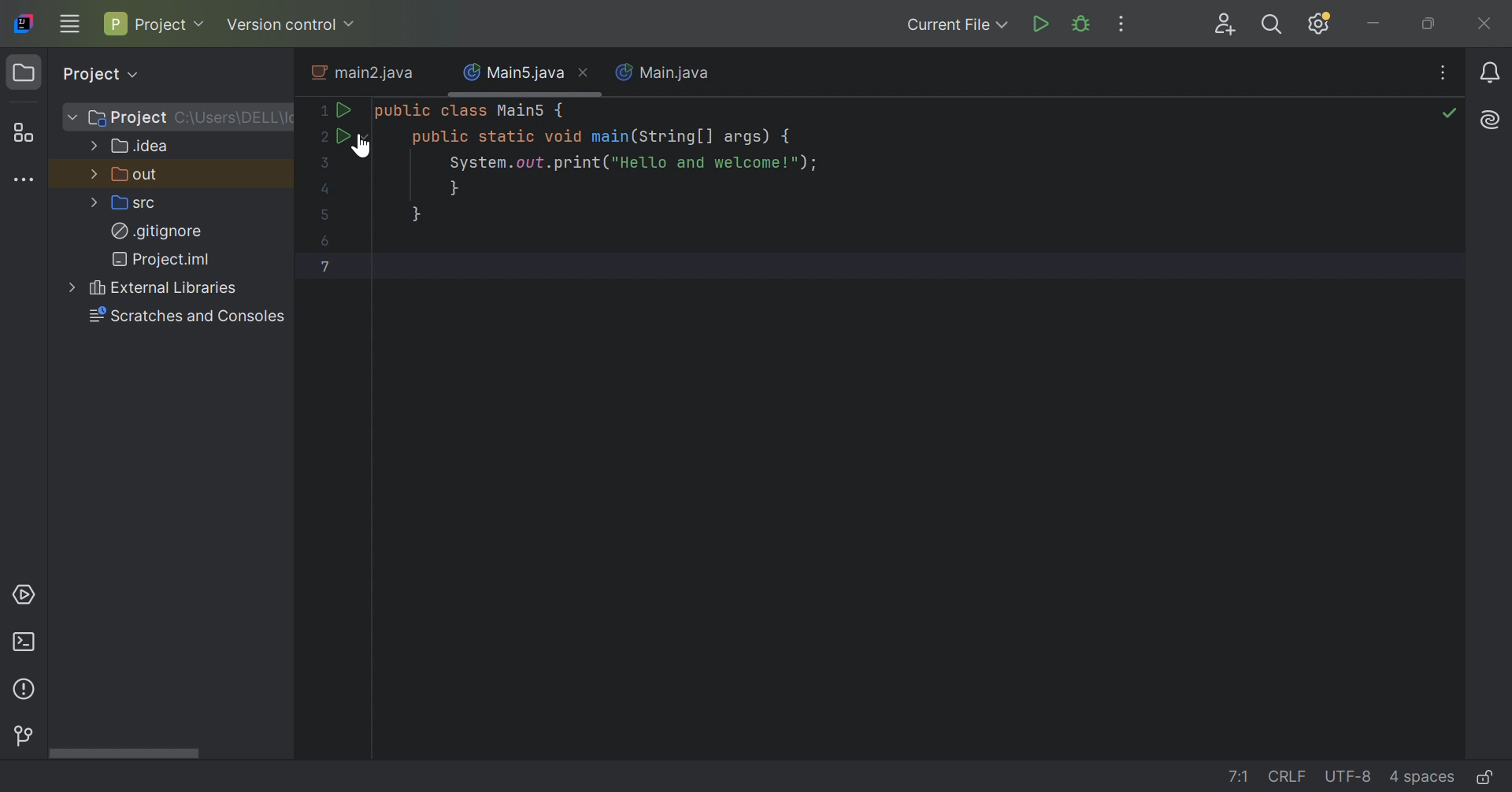 This screenshot has width=1512, height=792. What do you see at coordinates (24, 23) in the screenshot?
I see `IntelliJ IDEA icon` at bounding box center [24, 23].